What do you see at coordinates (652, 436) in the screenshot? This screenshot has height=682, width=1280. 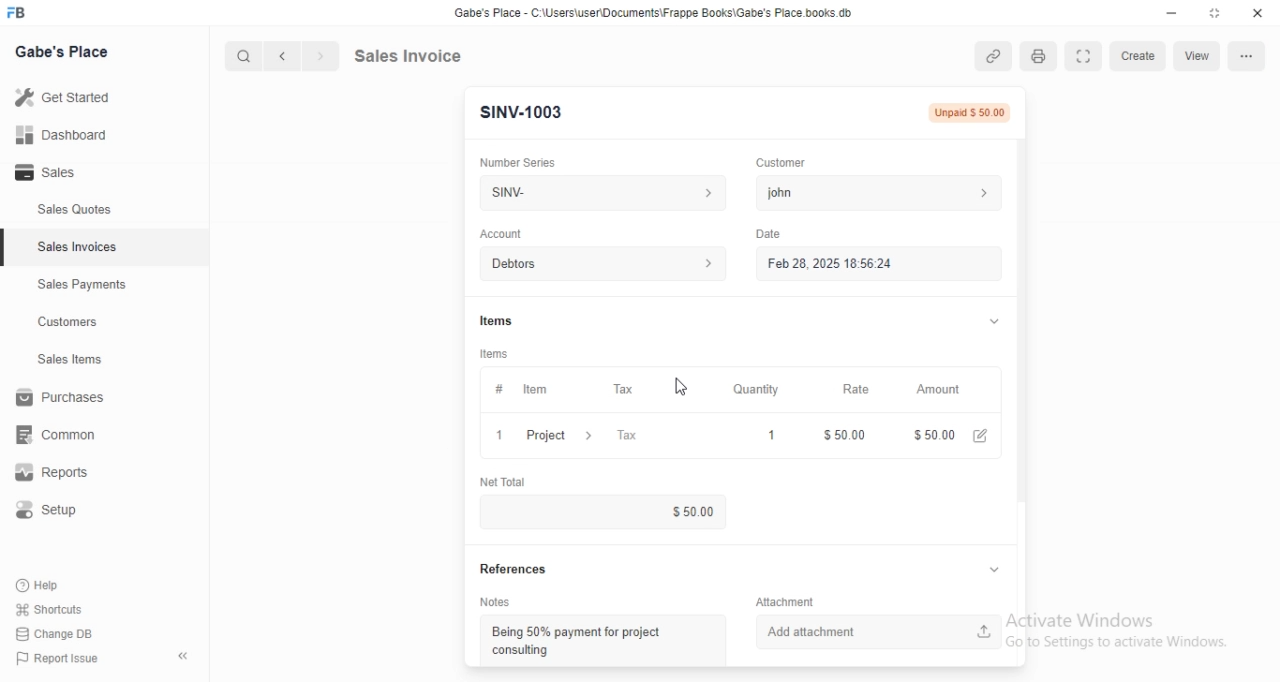 I see `Tax &` at bounding box center [652, 436].